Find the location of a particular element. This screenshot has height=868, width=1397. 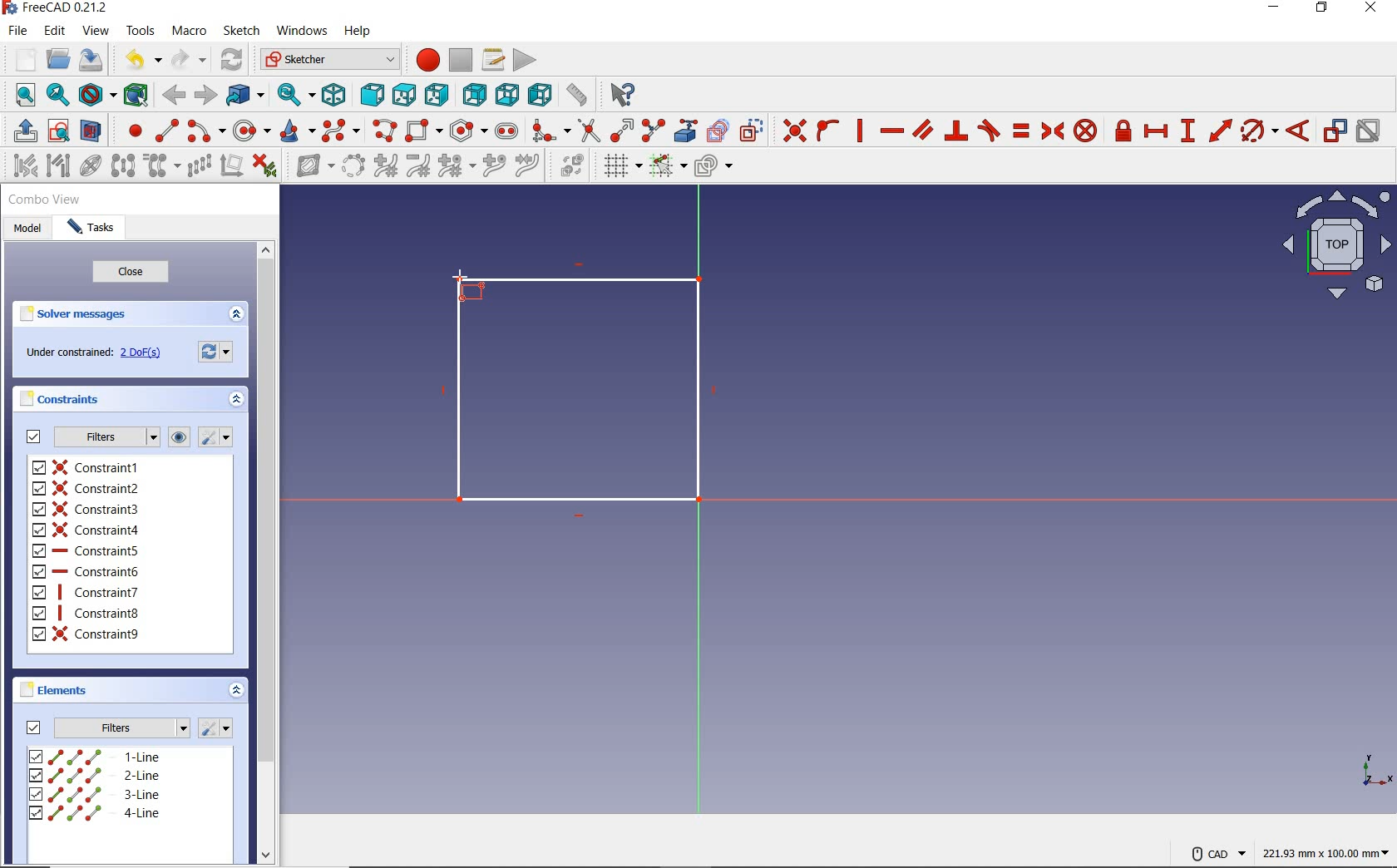

2-line is located at coordinates (128, 775).